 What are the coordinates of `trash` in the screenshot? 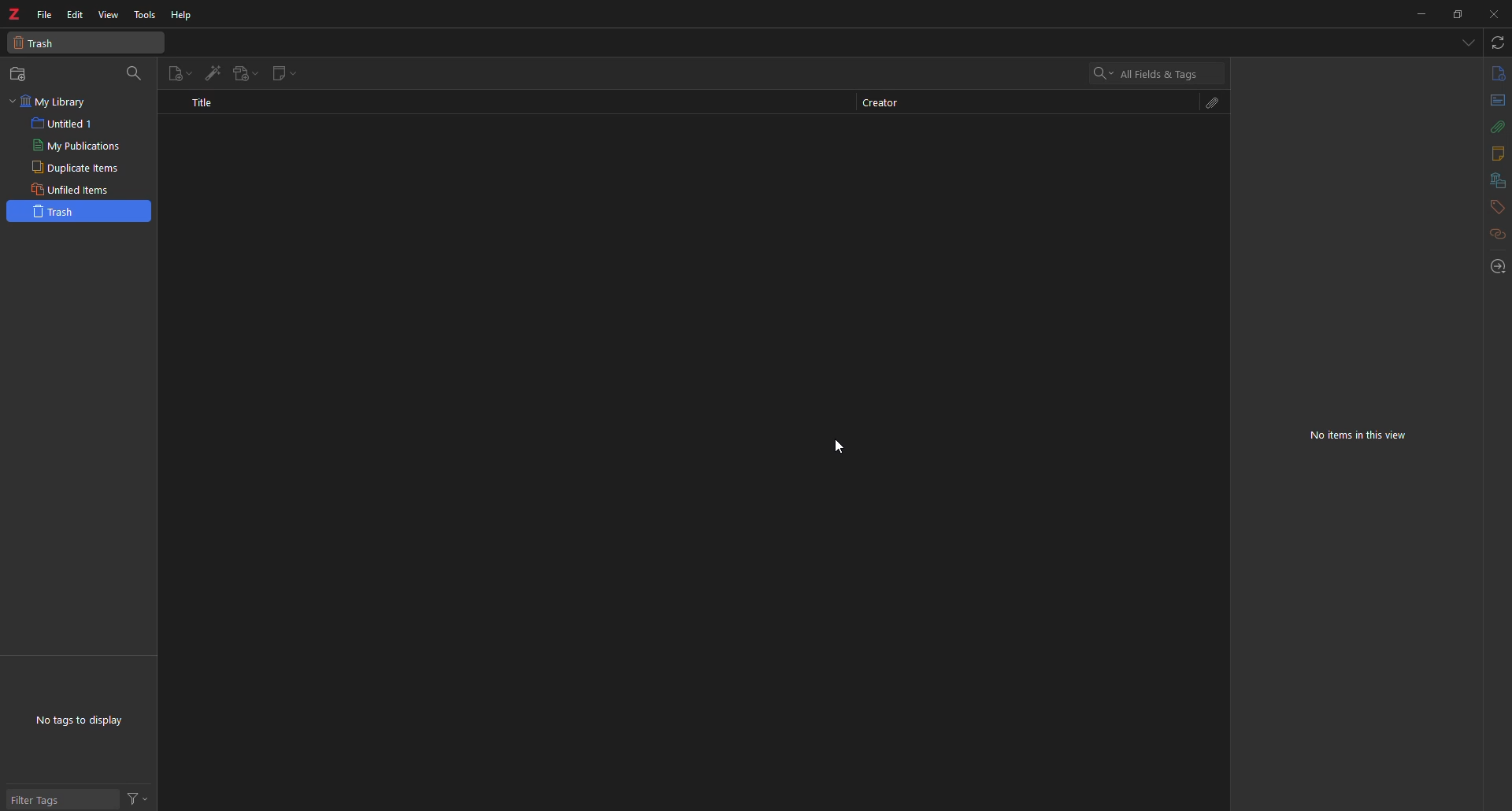 It's located at (40, 45).